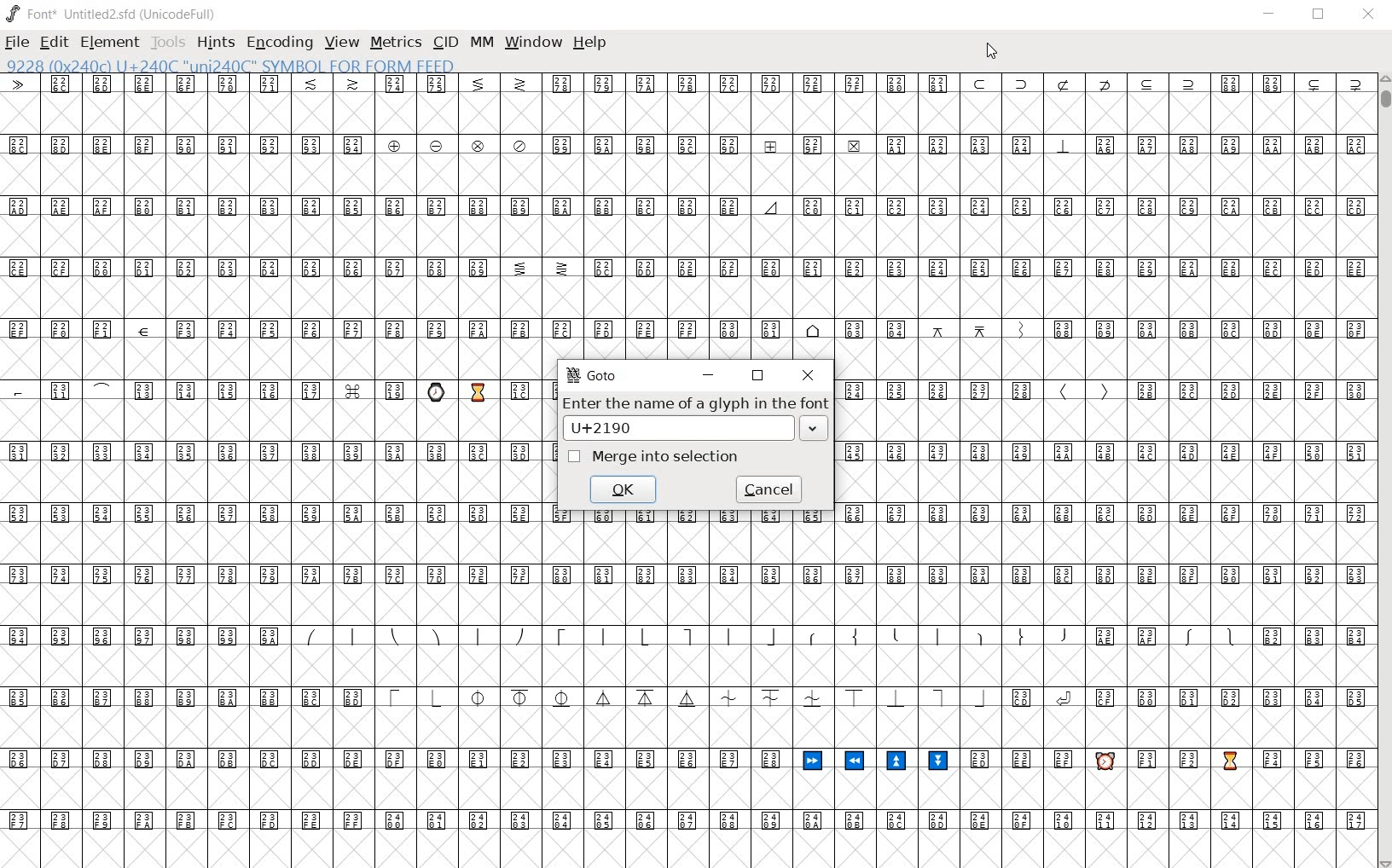  I want to click on edit, so click(53, 43).